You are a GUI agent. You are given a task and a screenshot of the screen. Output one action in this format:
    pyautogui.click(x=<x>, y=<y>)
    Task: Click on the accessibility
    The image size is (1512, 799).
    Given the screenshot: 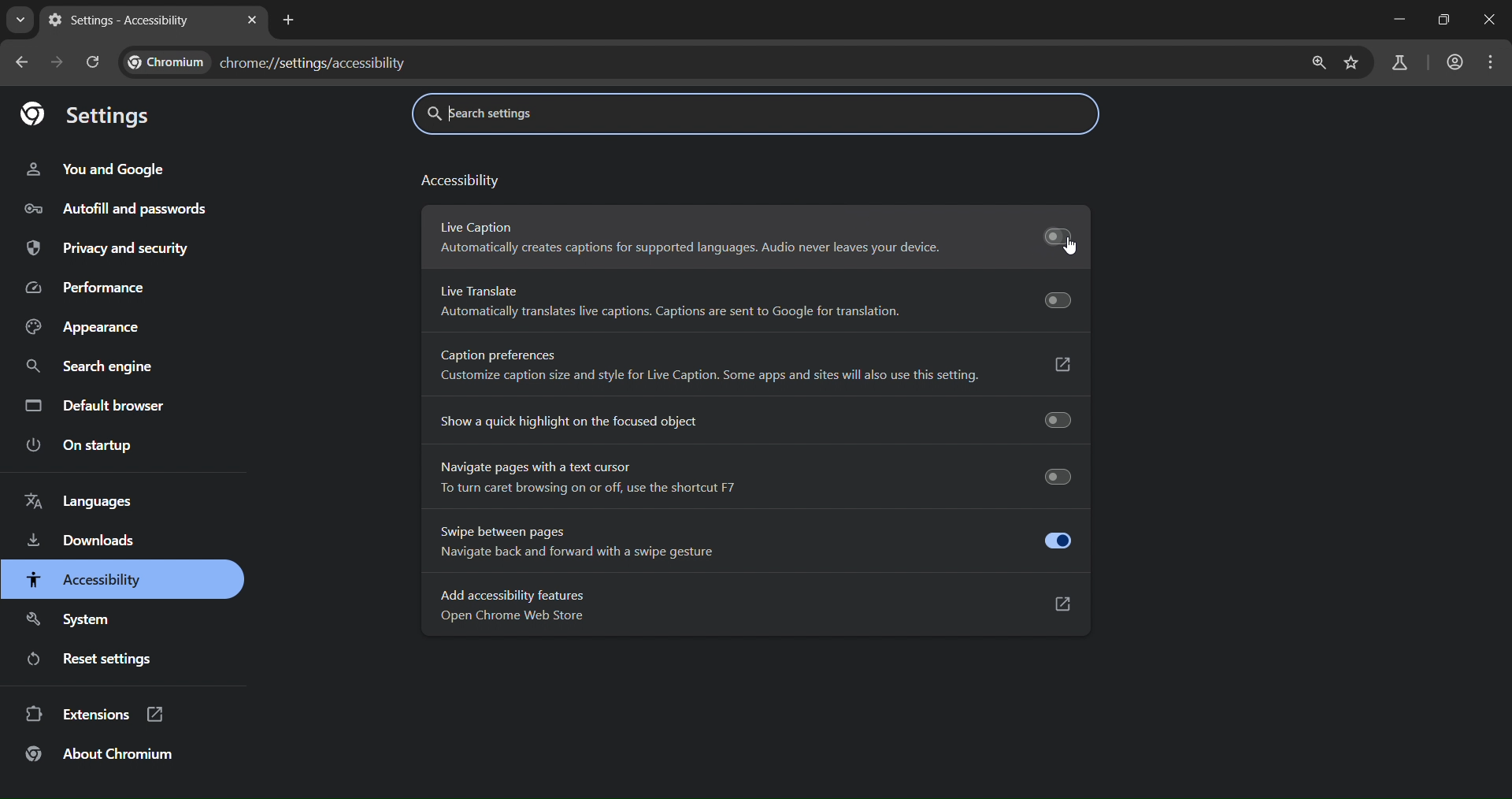 What is the action you would take?
    pyautogui.click(x=100, y=579)
    